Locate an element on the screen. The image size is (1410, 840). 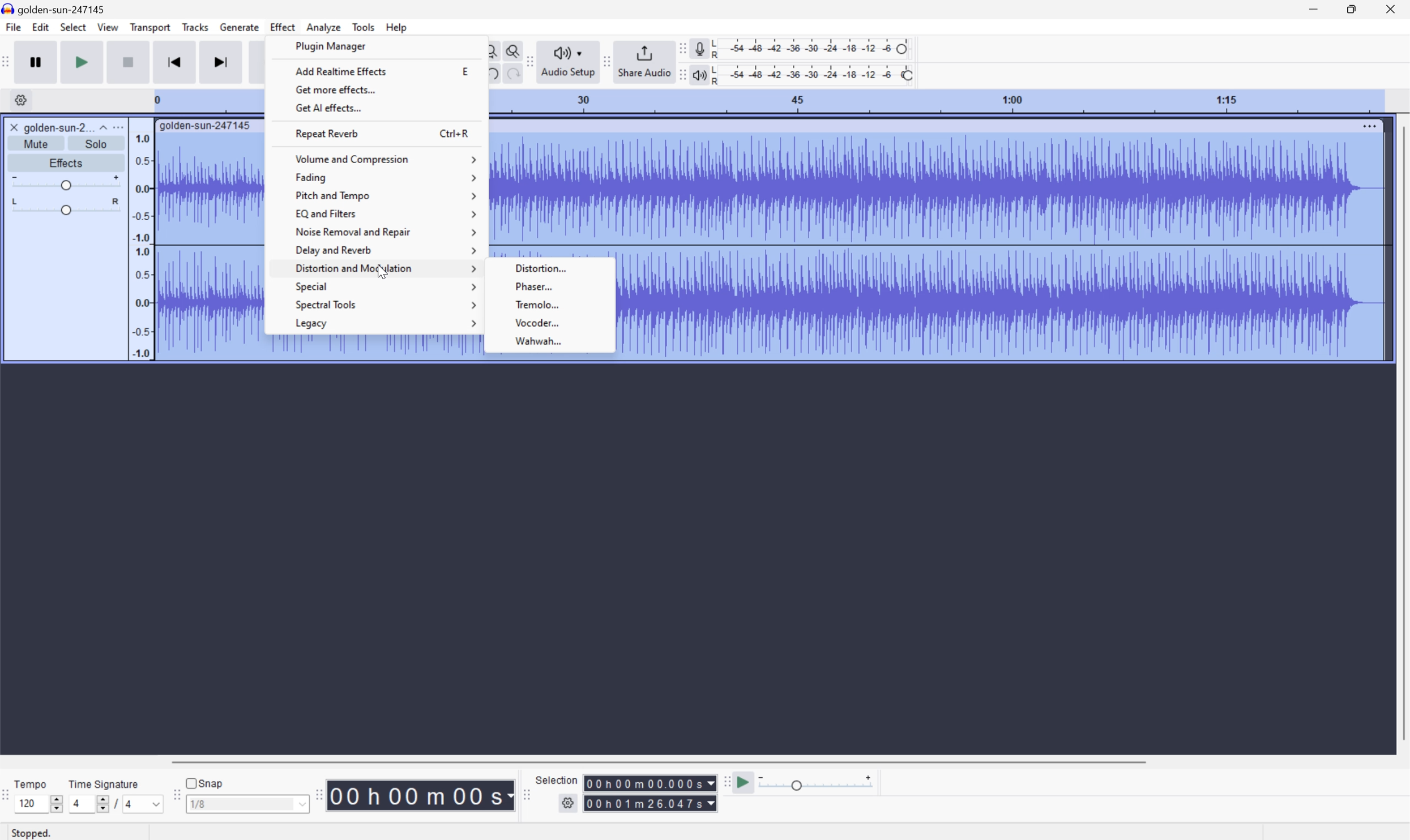
Skip to start is located at coordinates (174, 62).